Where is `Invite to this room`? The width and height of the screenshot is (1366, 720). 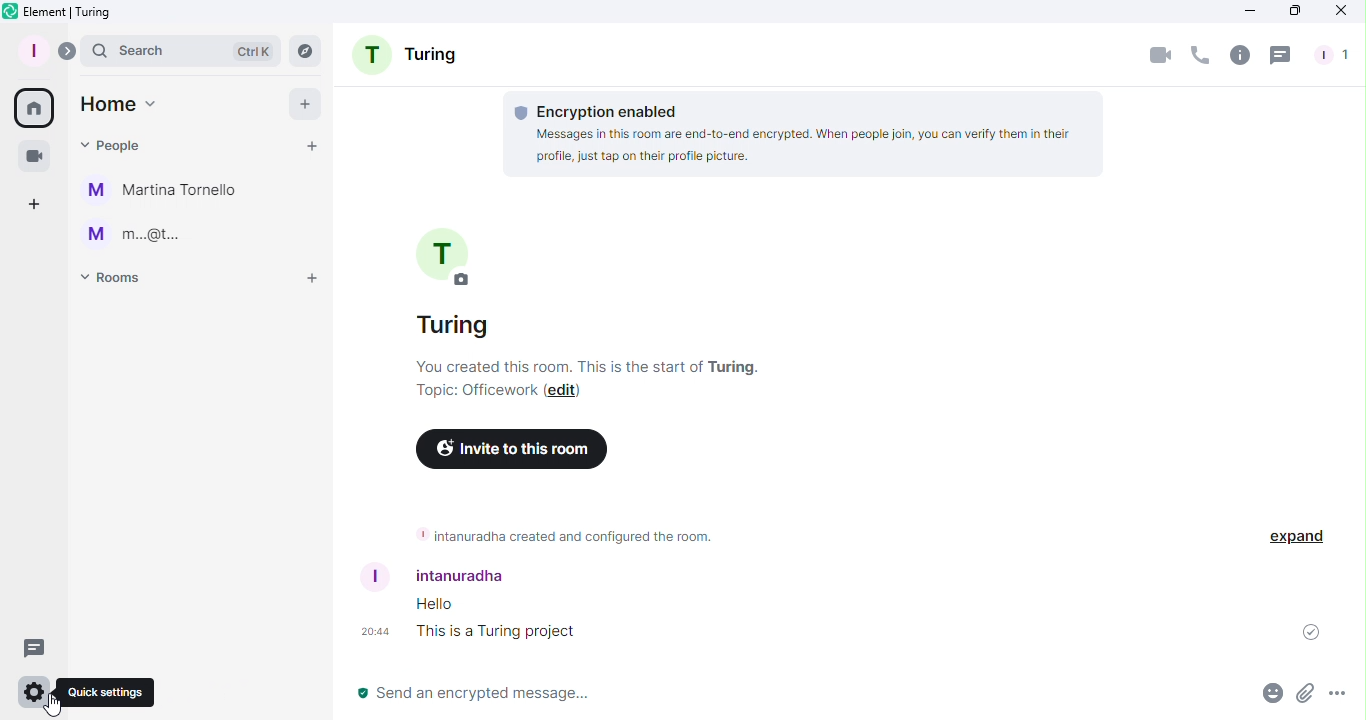 Invite to this room is located at coordinates (511, 450).